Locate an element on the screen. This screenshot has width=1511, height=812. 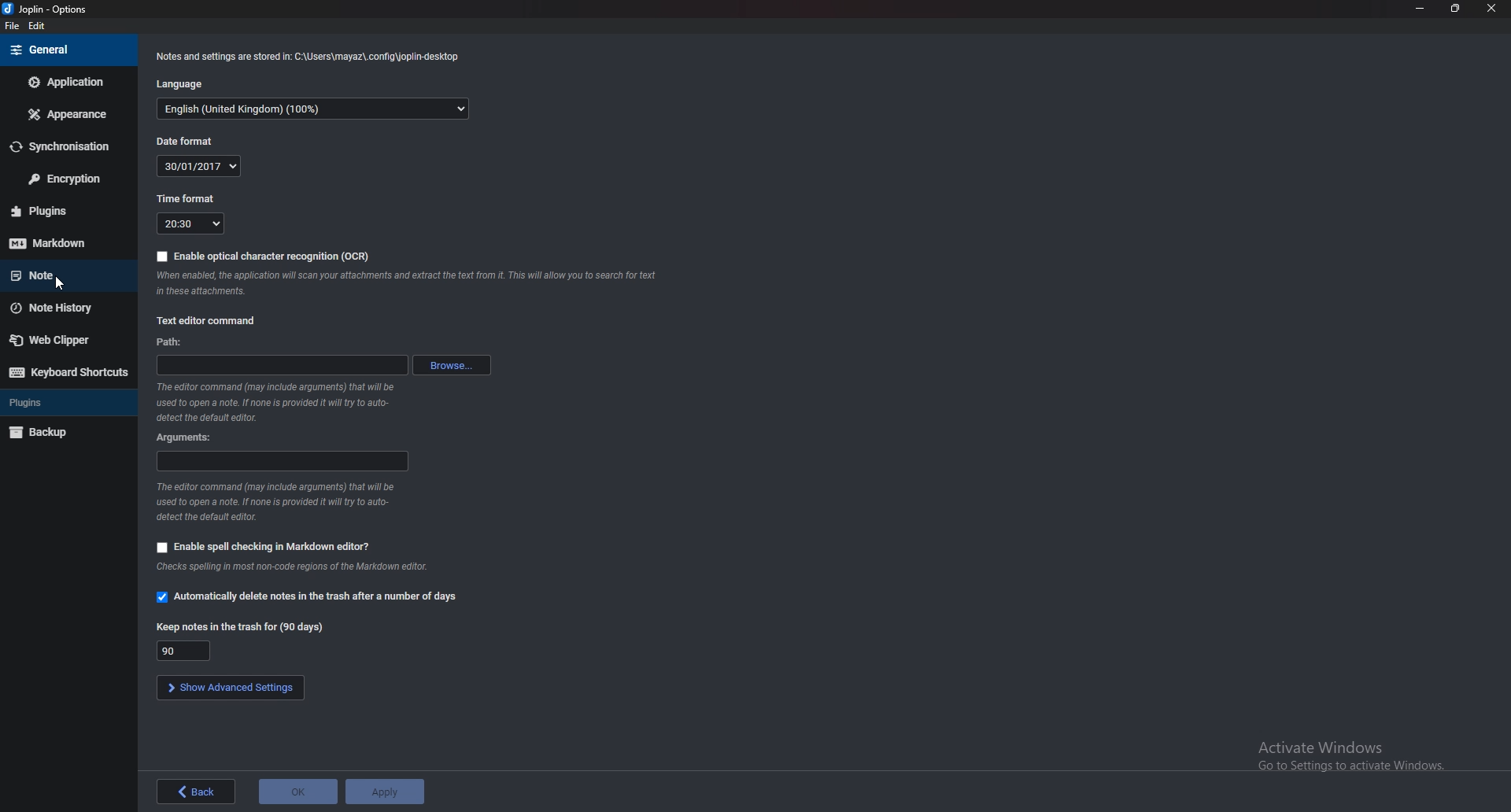
close is located at coordinates (1492, 8).